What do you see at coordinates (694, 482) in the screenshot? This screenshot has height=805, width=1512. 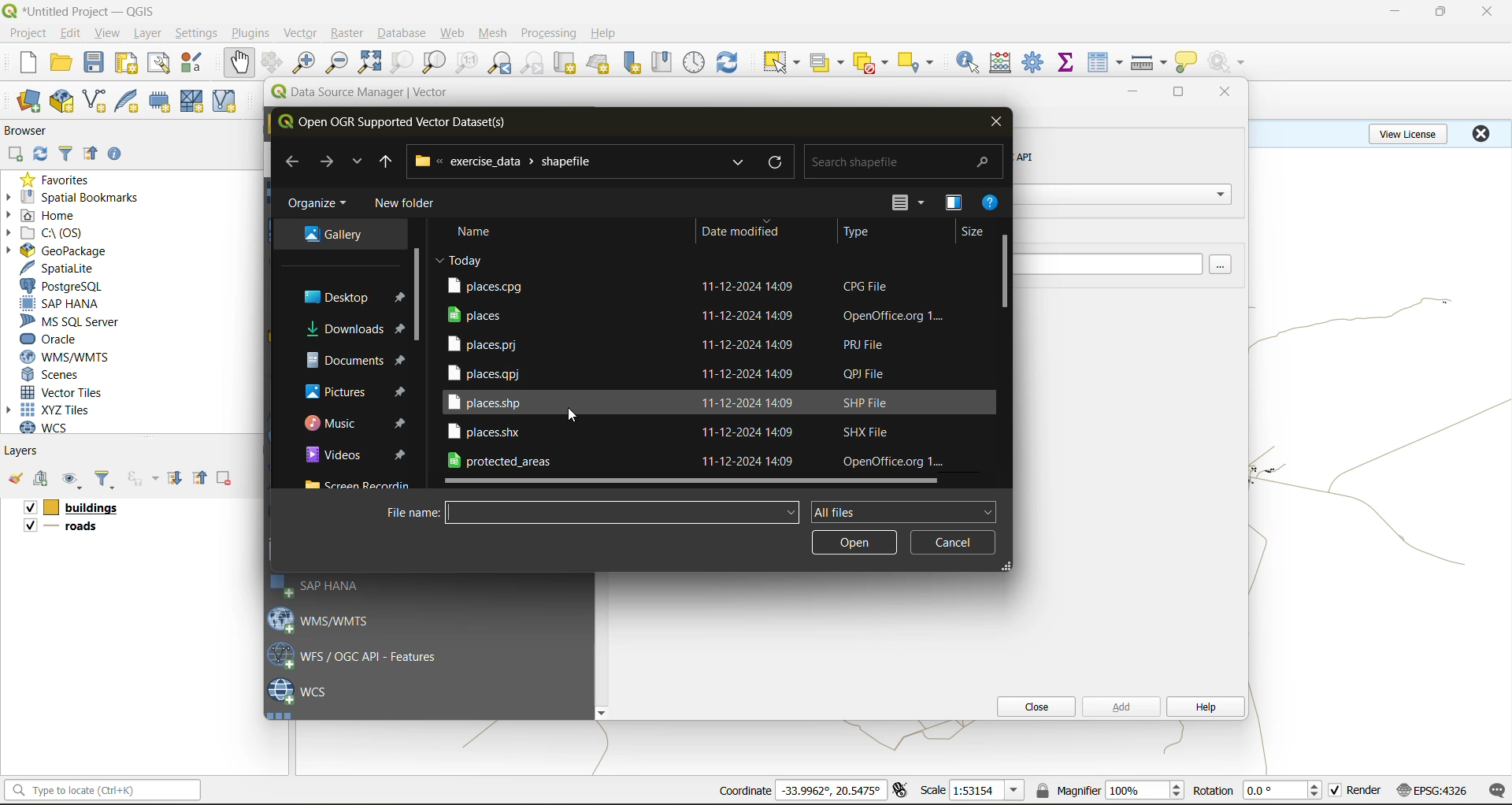 I see `horizontal scroll bar` at bounding box center [694, 482].